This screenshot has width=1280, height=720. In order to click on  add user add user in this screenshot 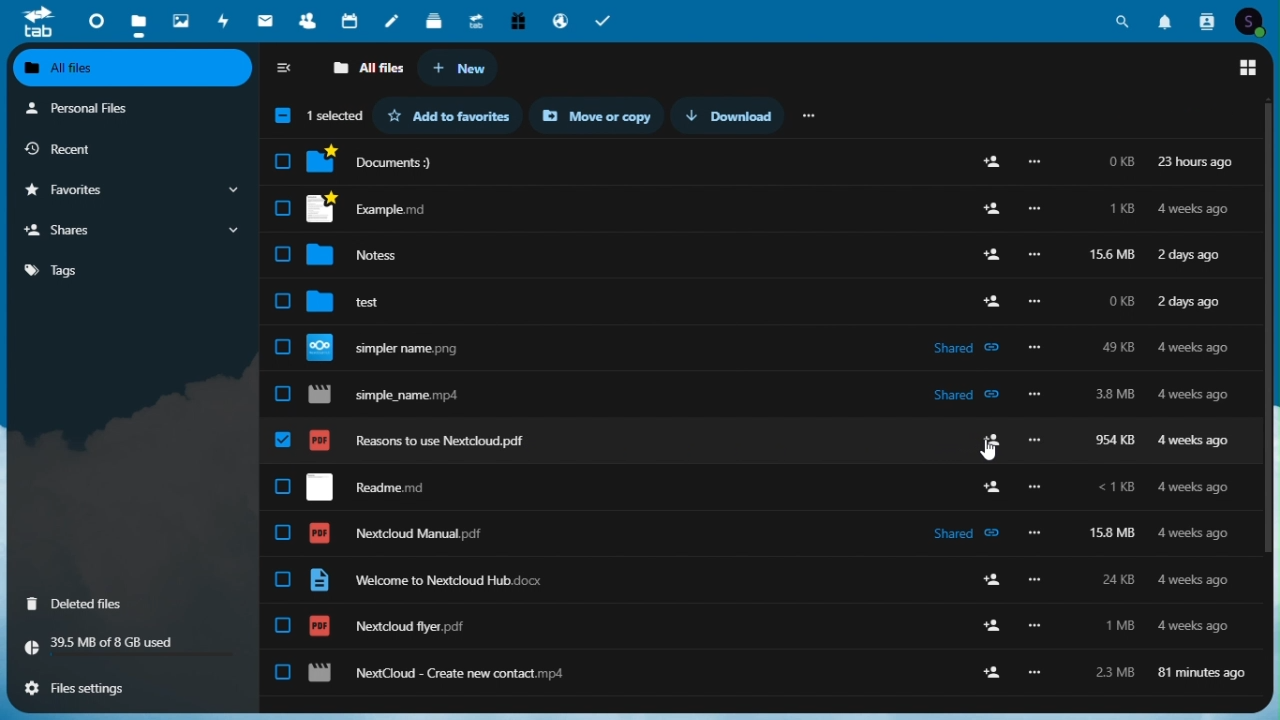, I will do `click(988, 487)`.